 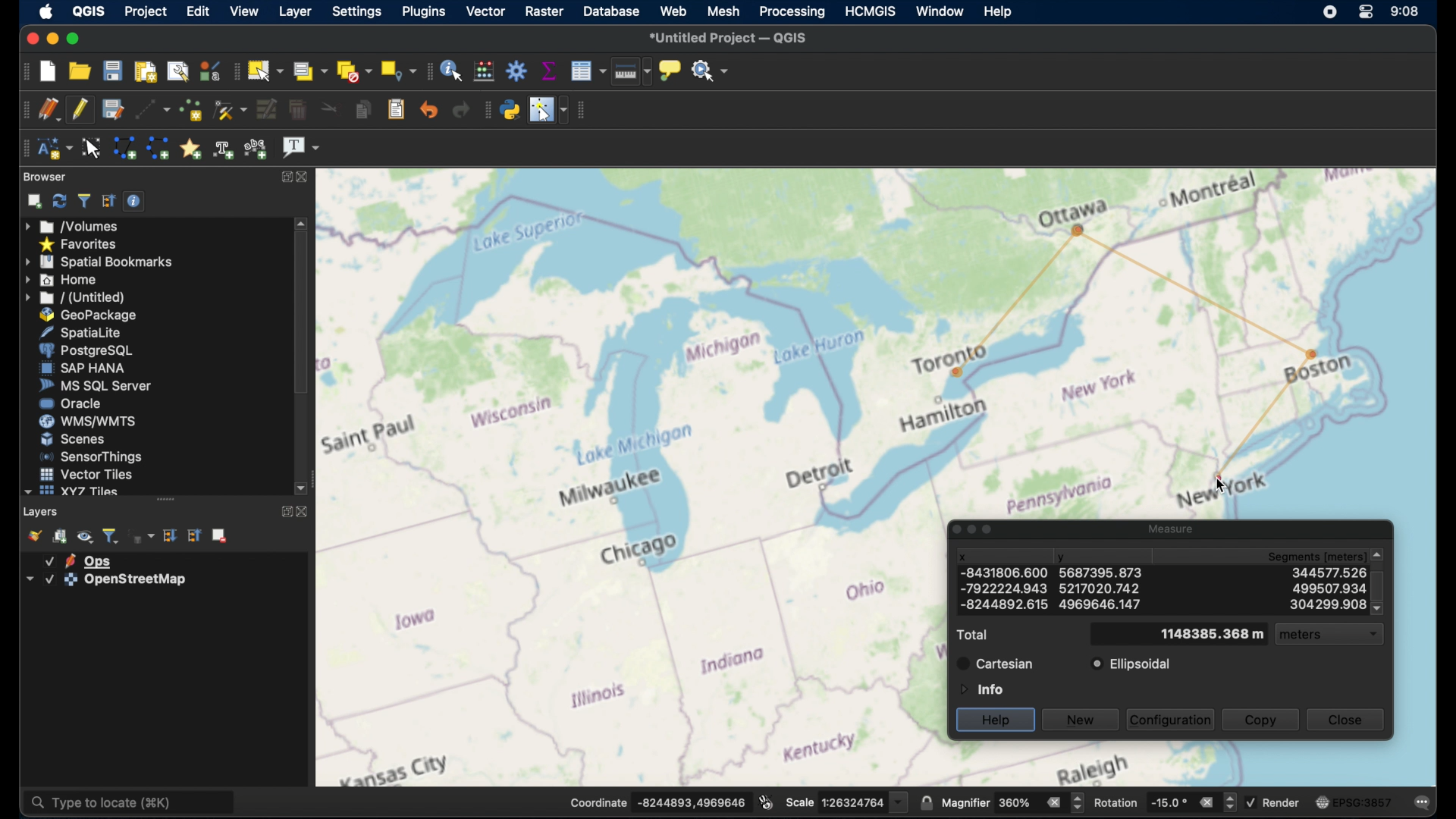 I want to click on new annotation layer, so click(x=54, y=149).